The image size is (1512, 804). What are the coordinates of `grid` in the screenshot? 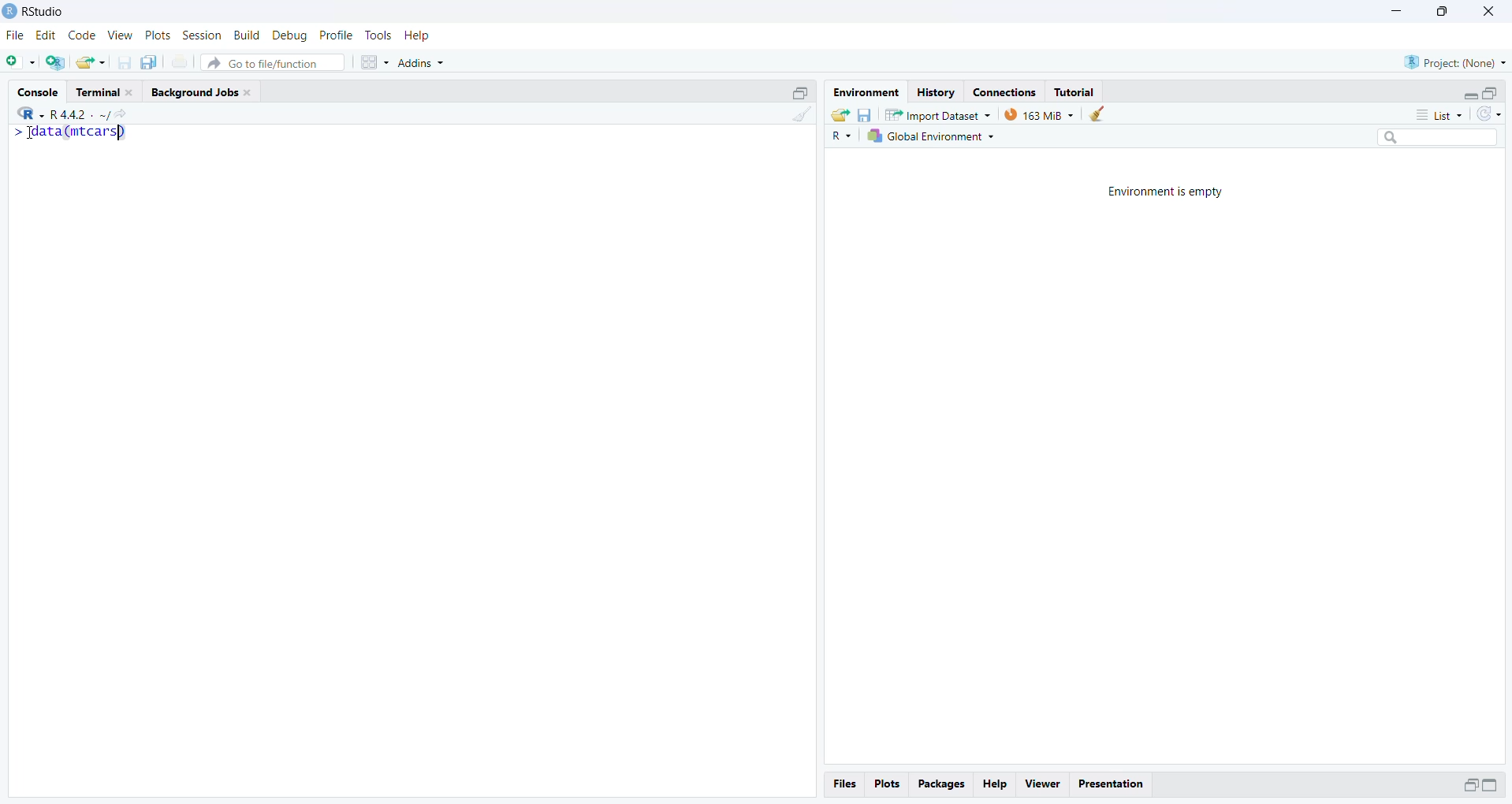 It's located at (375, 61).